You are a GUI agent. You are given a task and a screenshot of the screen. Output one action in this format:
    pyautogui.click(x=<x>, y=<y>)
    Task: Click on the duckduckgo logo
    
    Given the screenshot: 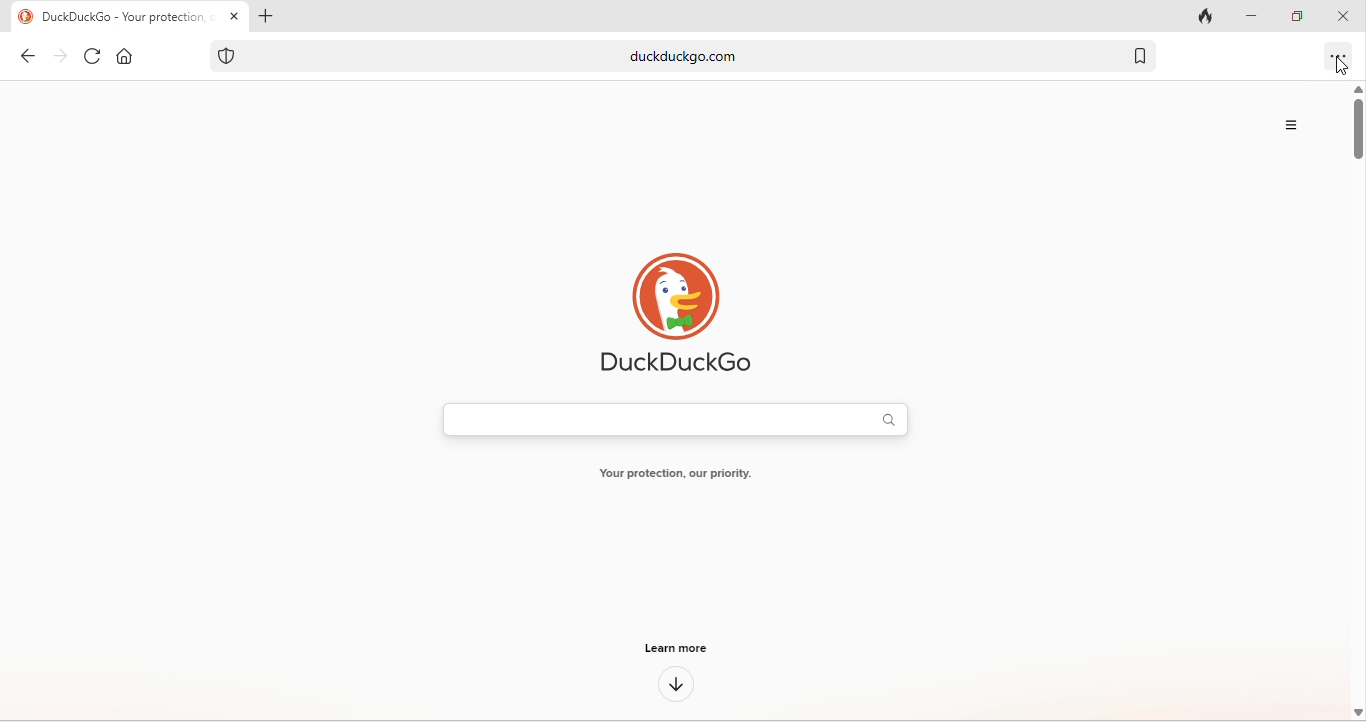 What is the action you would take?
    pyautogui.click(x=20, y=17)
    